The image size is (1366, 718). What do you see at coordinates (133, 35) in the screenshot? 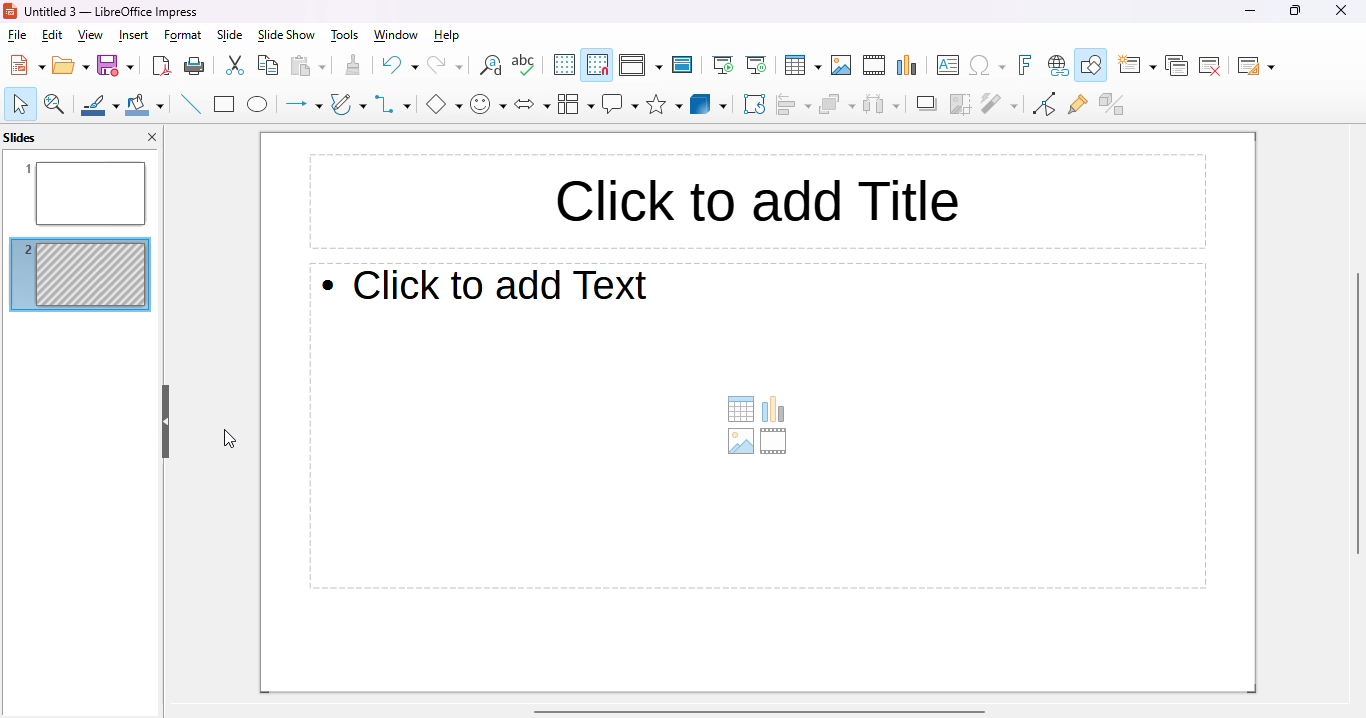
I see `insert` at bounding box center [133, 35].